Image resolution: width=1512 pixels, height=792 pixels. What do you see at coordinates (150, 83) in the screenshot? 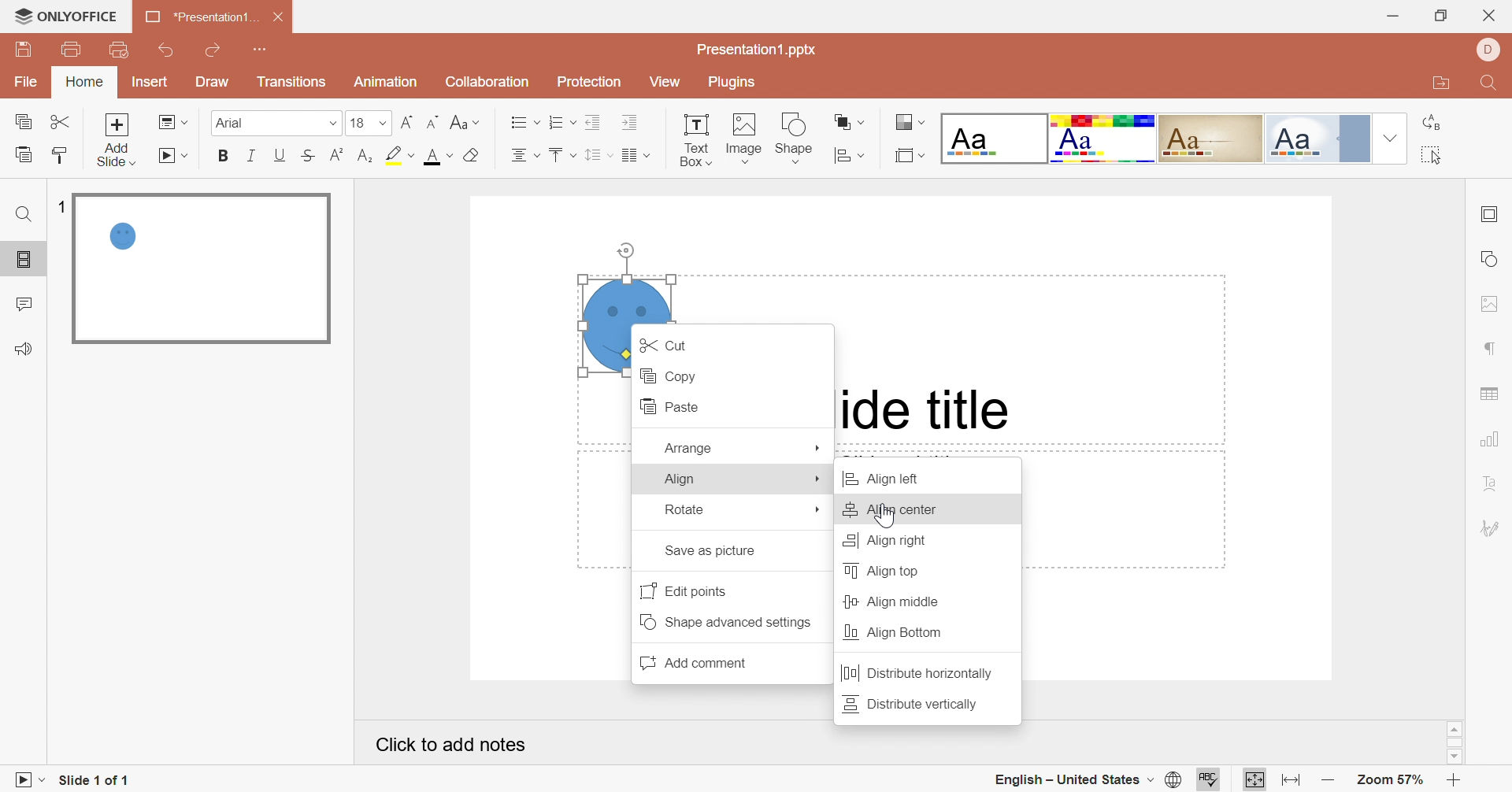
I see `Insert` at bounding box center [150, 83].